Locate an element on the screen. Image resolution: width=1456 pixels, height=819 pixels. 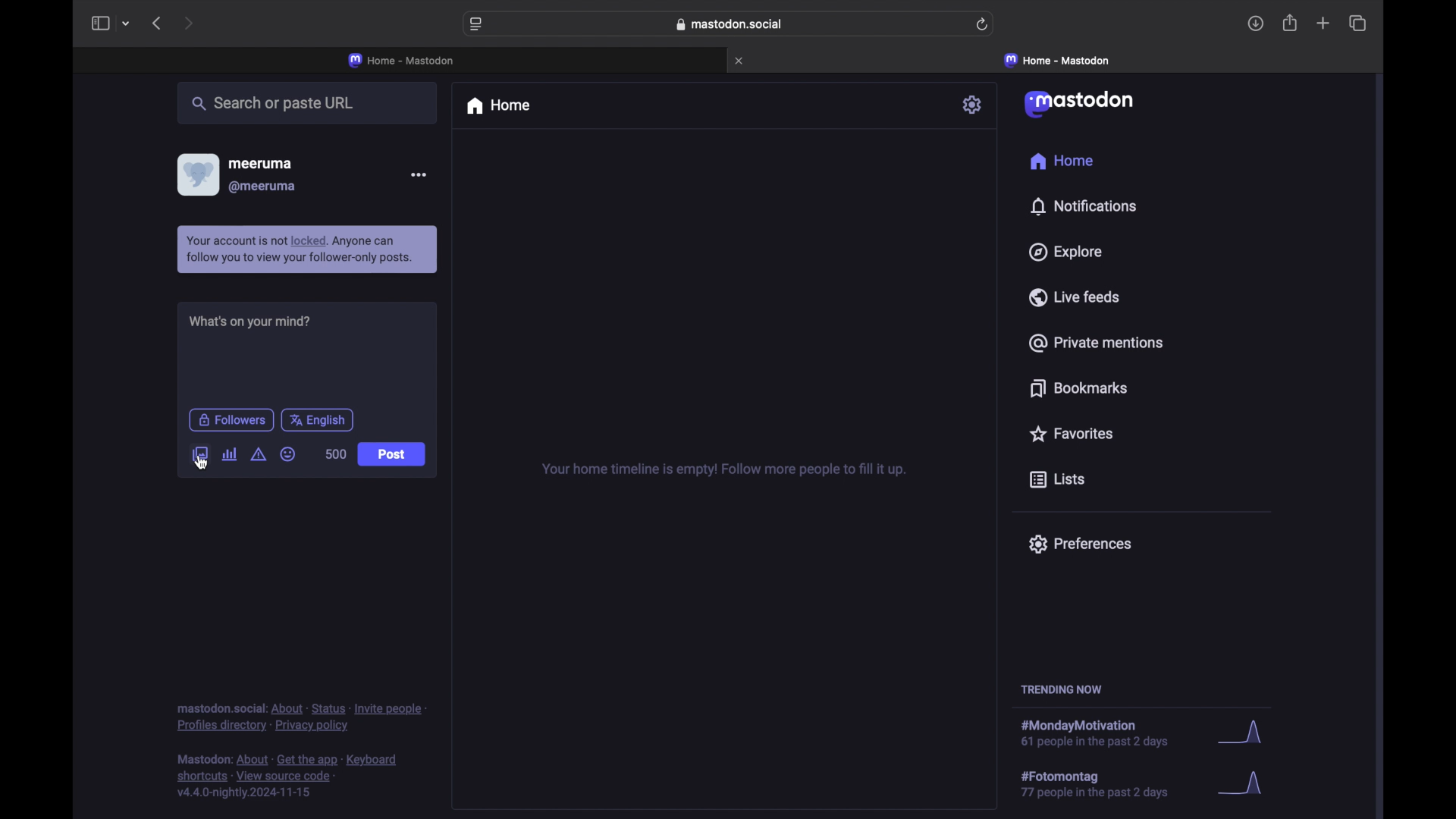
previous is located at coordinates (158, 24).